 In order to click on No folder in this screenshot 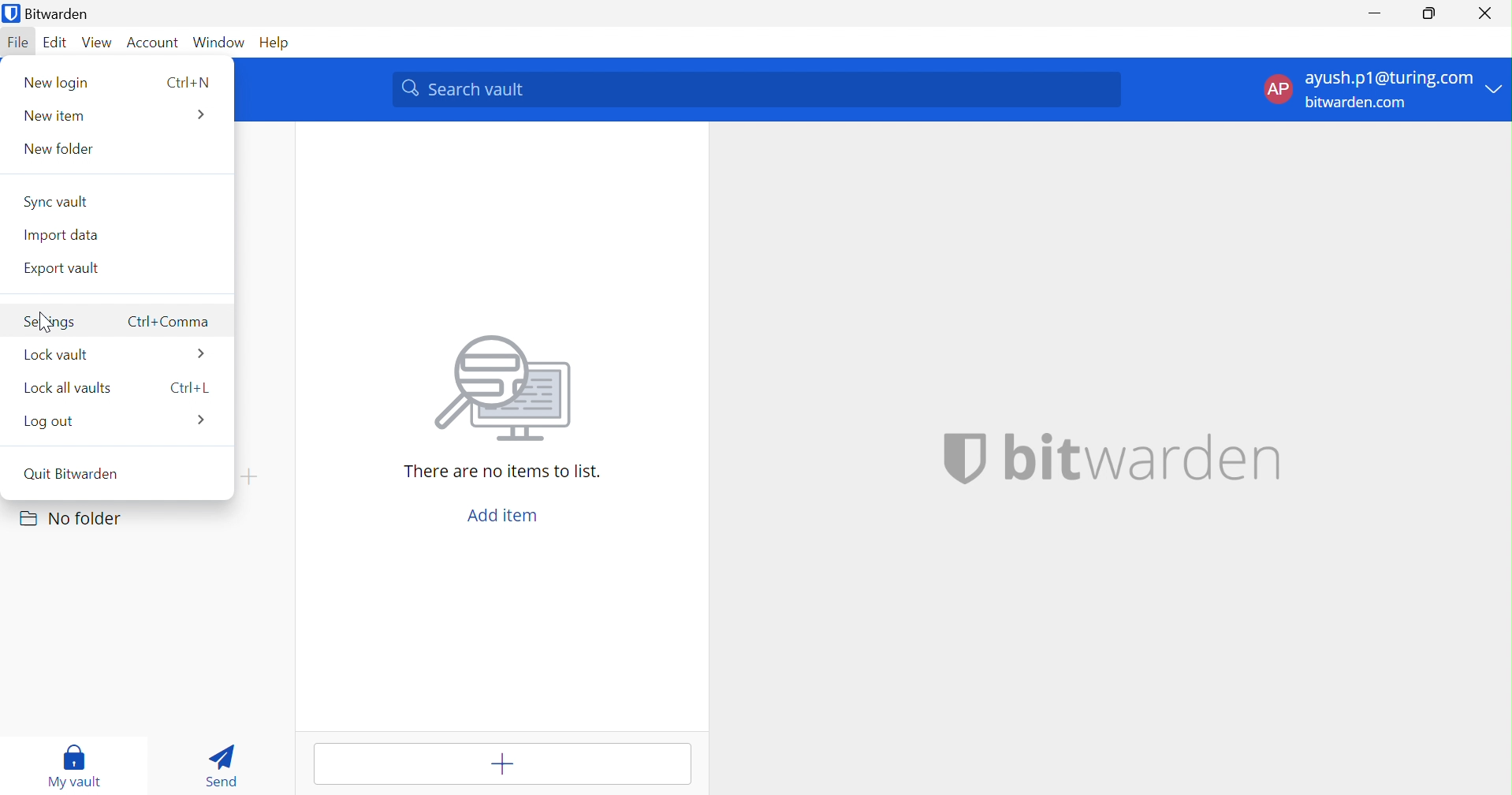, I will do `click(74, 518)`.